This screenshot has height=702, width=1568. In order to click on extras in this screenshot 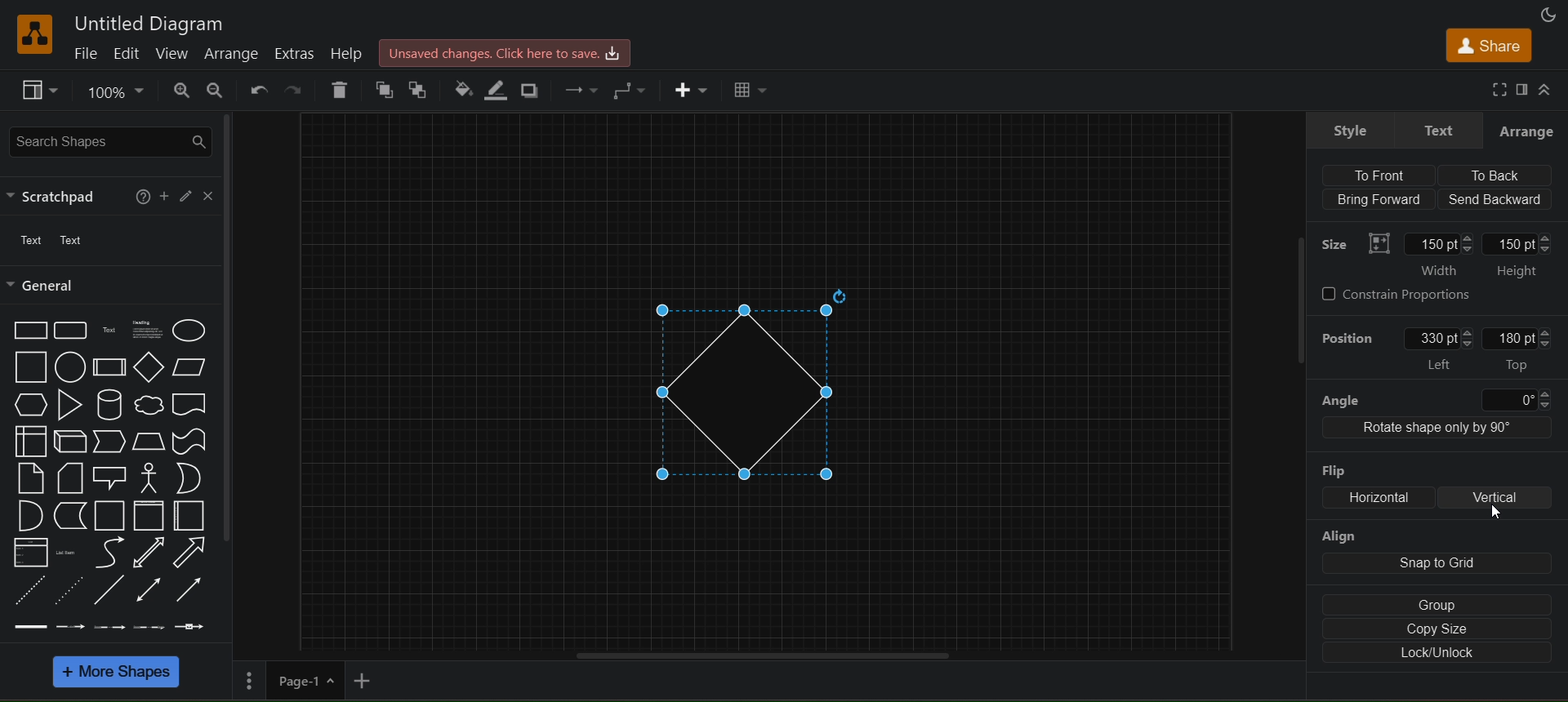, I will do `click(296, 51)`.